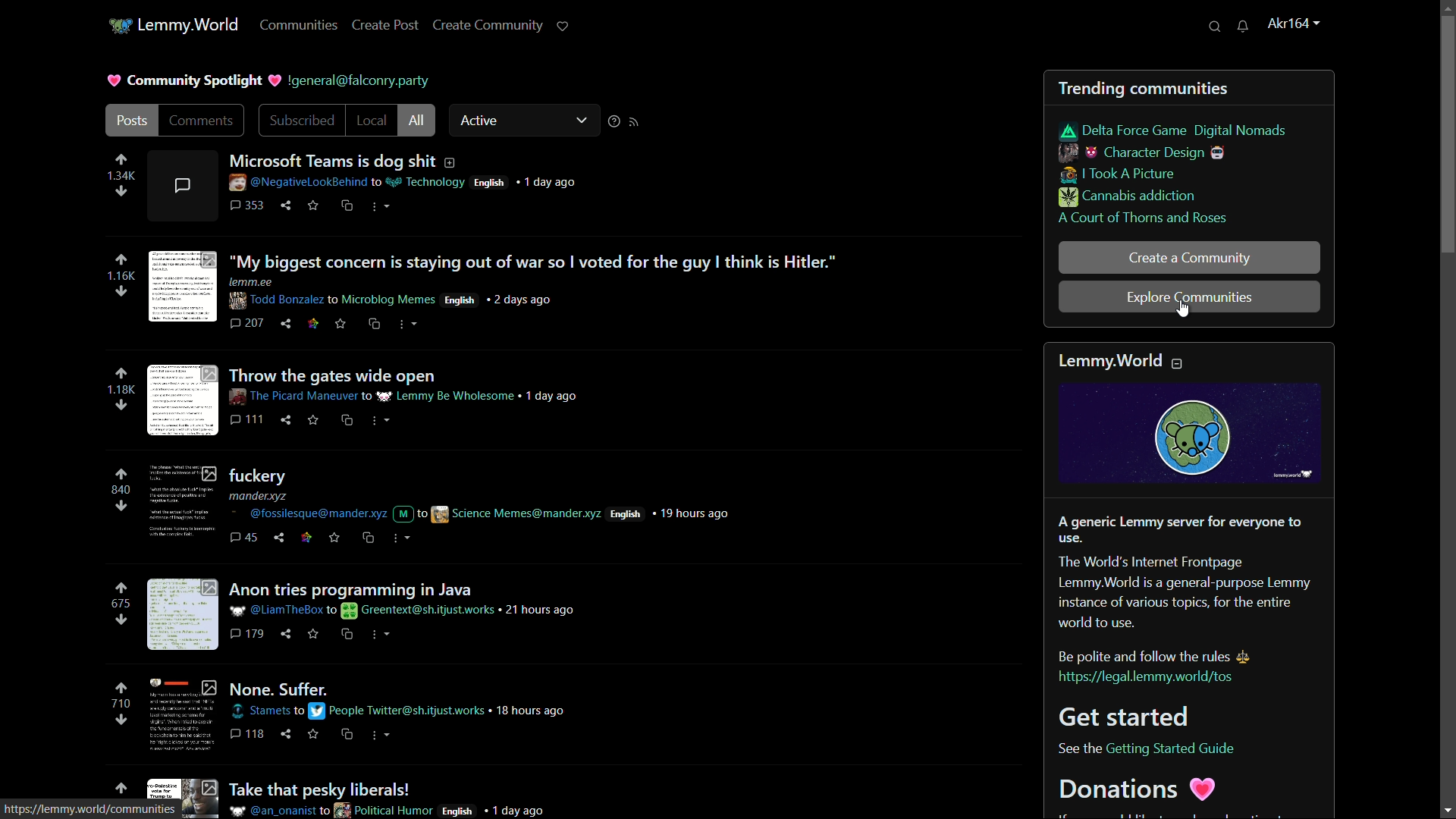 The height and width of the screenshot is (819, 1456). Describe the element at coordinates (1144, 218) in the screenshot. I see `a court of thorns and roses` at that location.